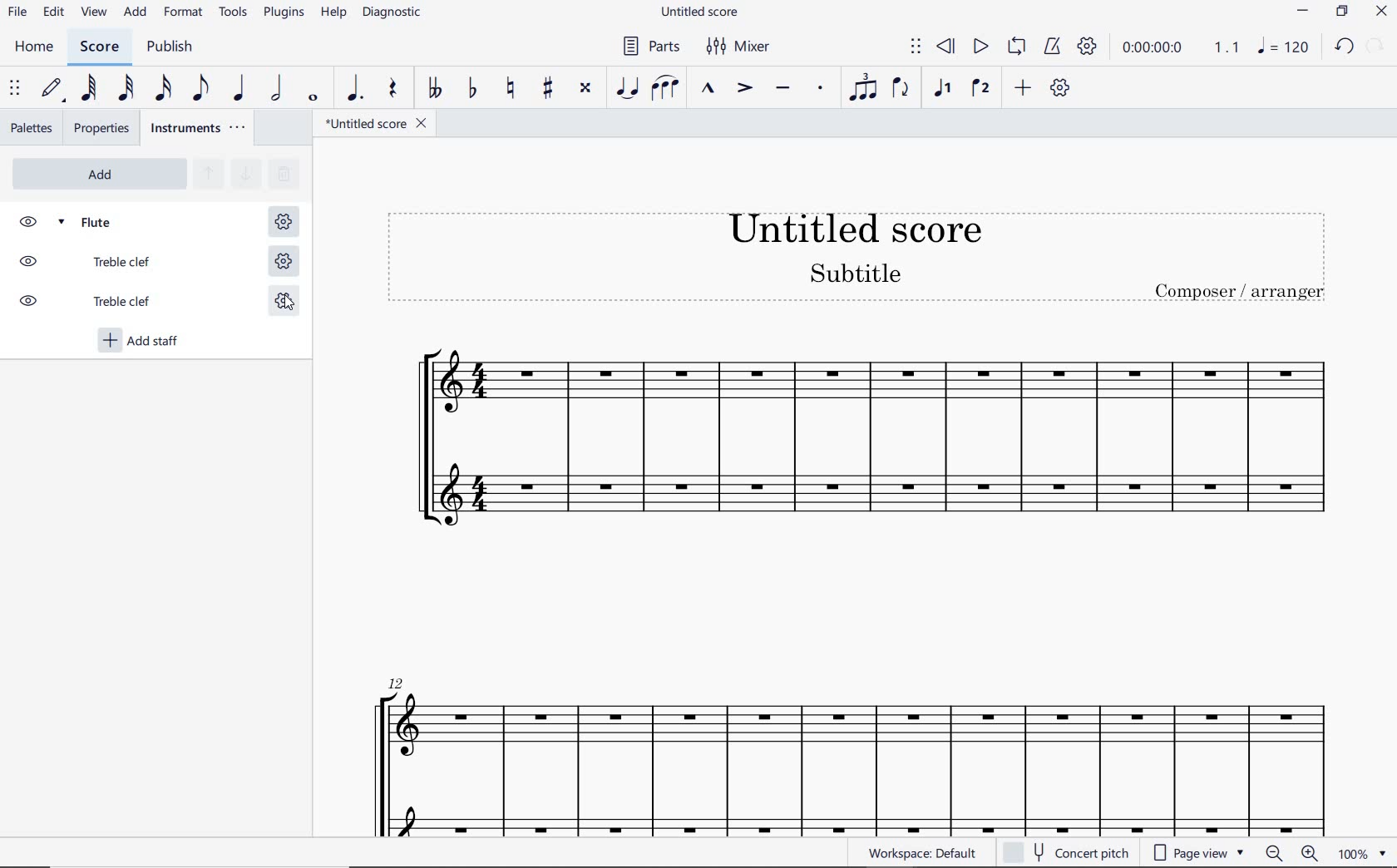 Image resolution: width=1397 pixels, height=868 pixels. I want to click on ADD, so click(99, 174).